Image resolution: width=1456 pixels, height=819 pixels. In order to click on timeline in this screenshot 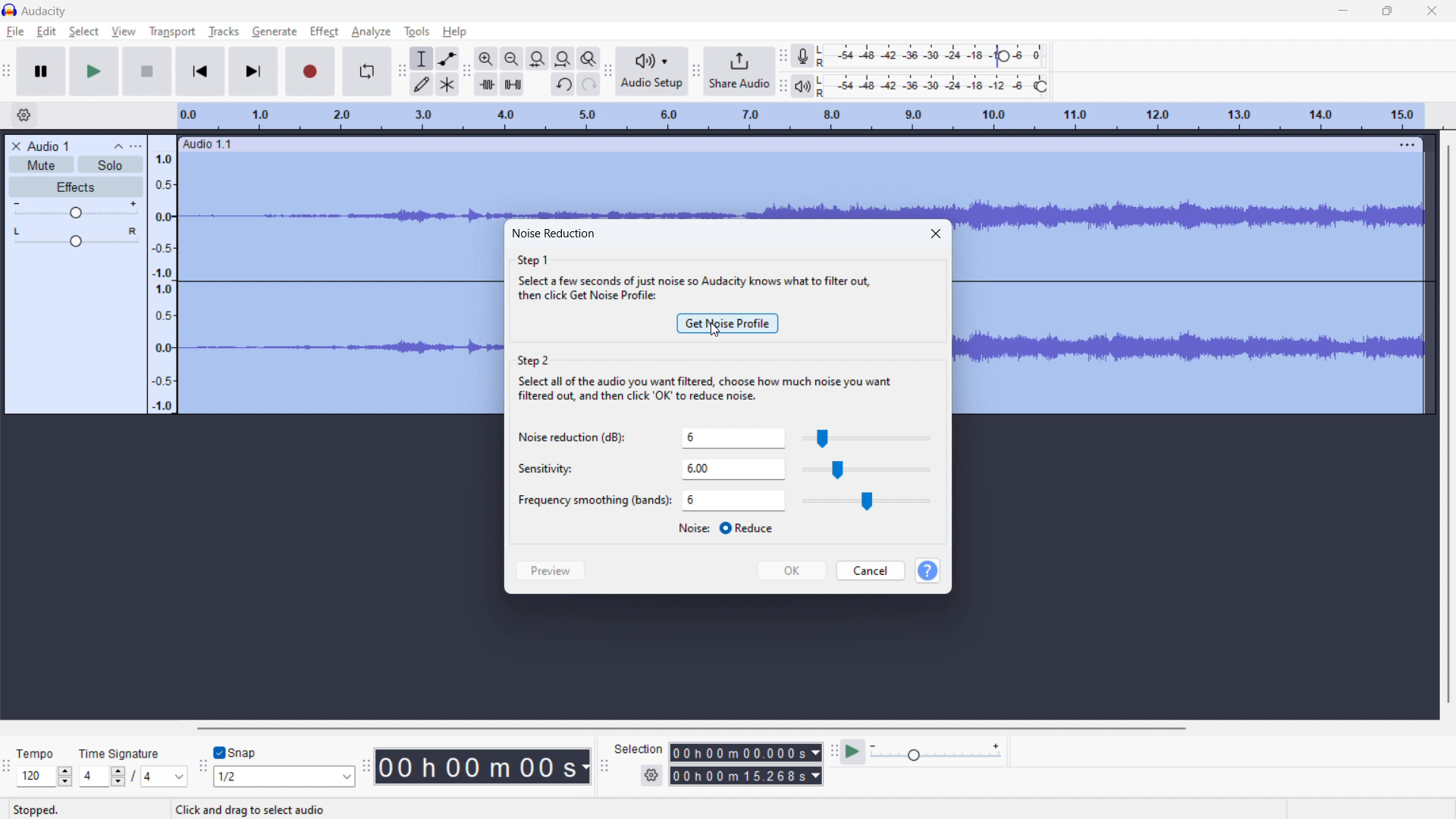, I will do `click(801, 117)`.